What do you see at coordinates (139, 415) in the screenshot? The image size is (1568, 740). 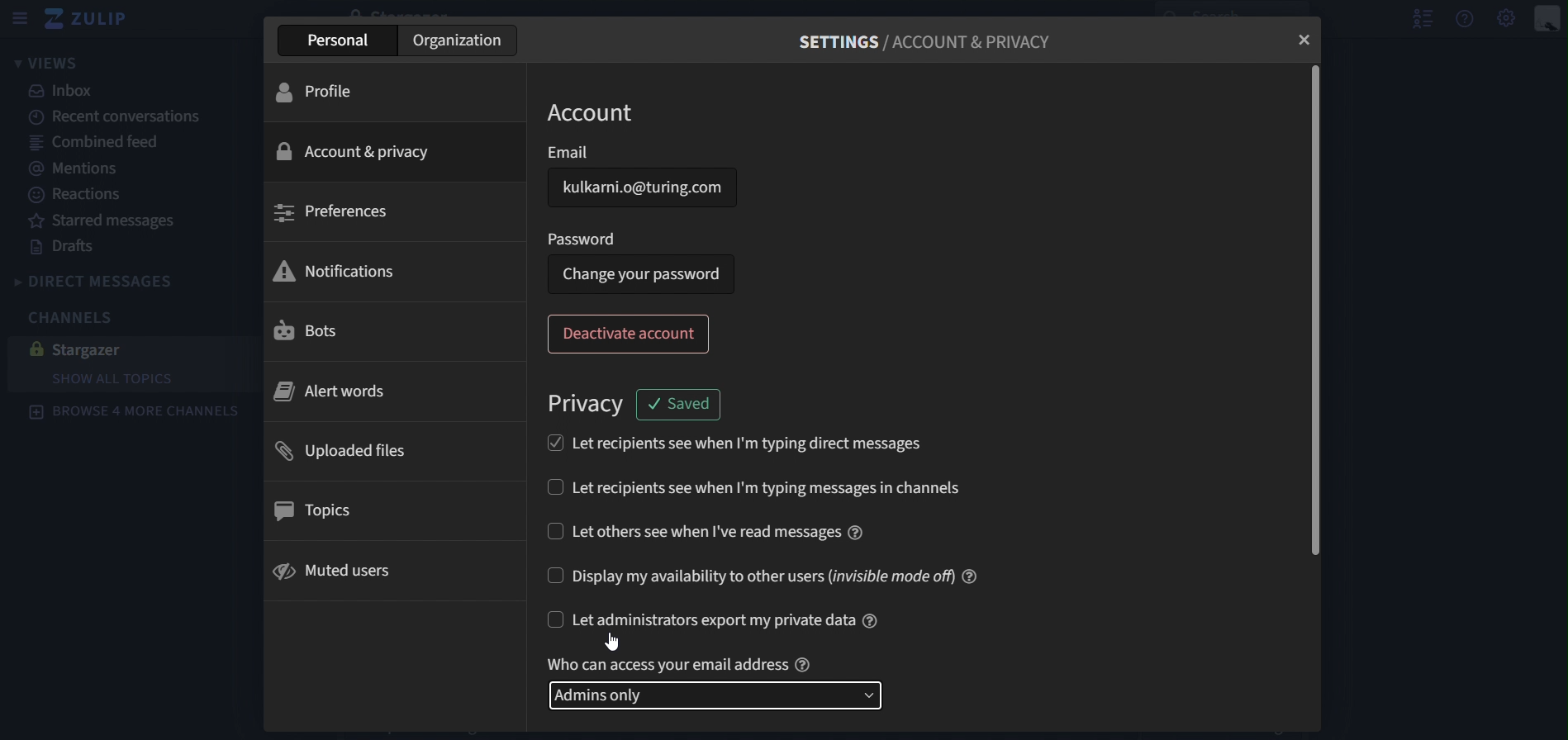 I see `browse 4 more channels` at bounding box center [139, 415].